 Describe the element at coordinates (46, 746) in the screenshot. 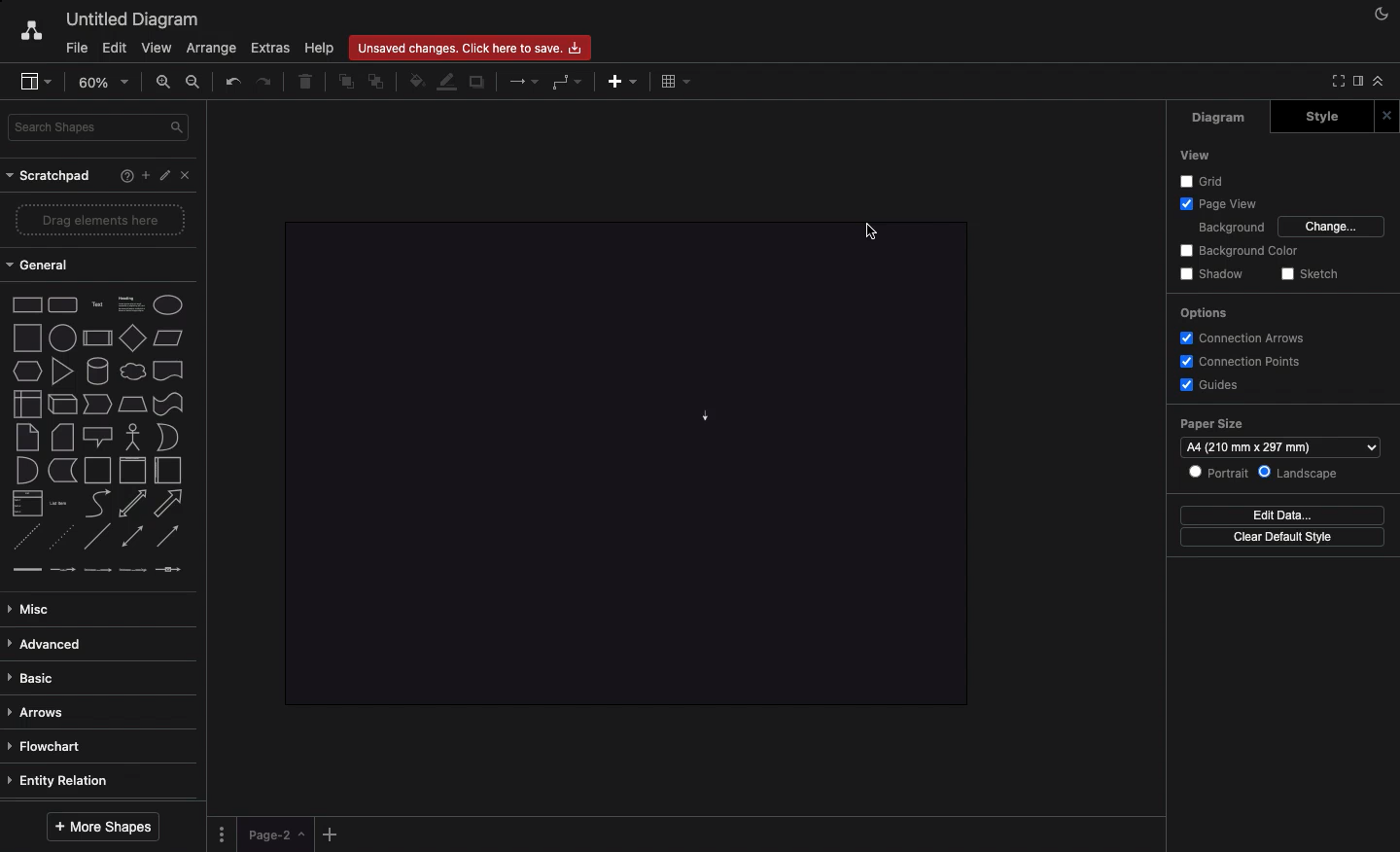

I see `Flowchart` at that location.